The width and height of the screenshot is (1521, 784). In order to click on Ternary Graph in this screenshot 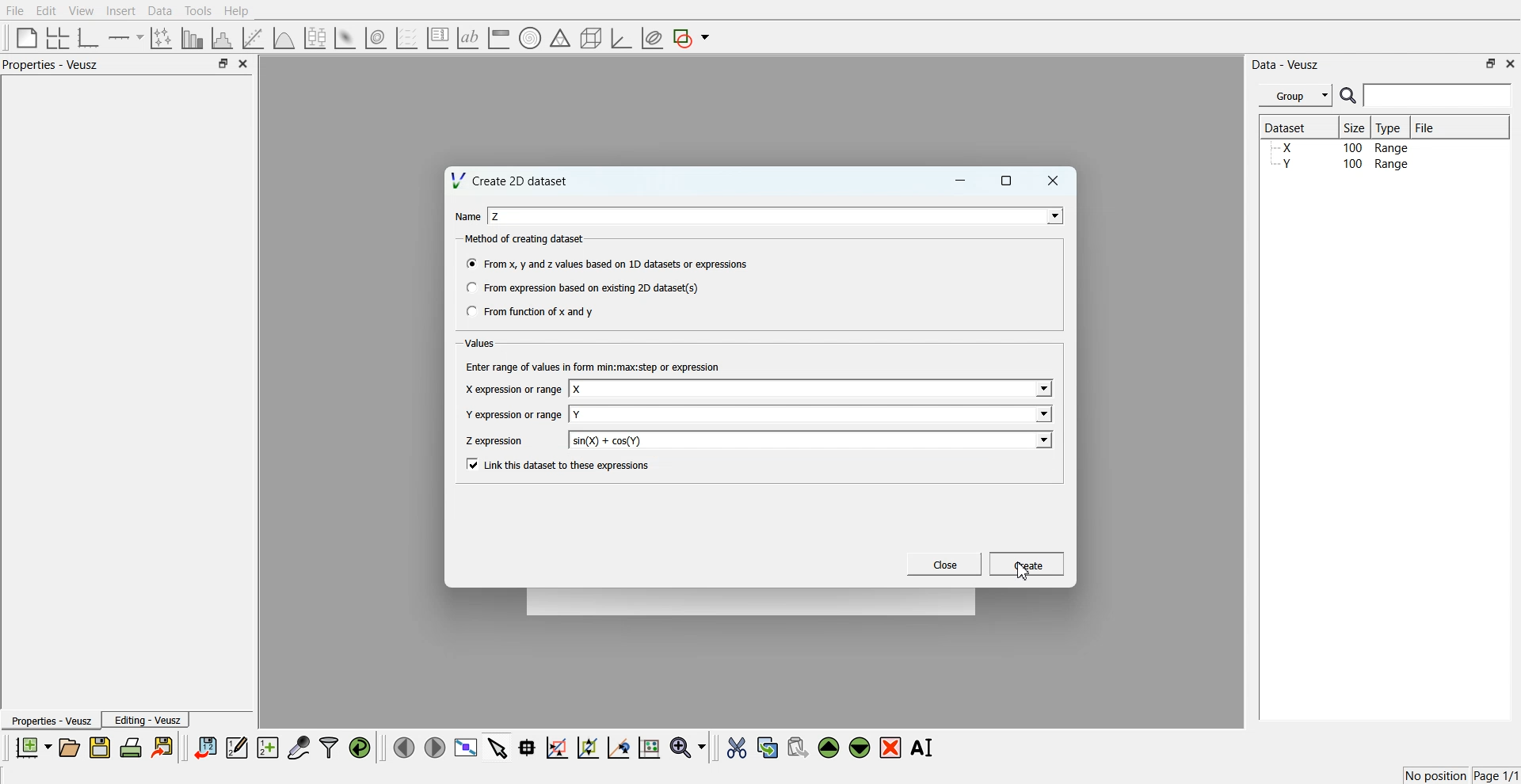, I will do `click(560, 37)`.